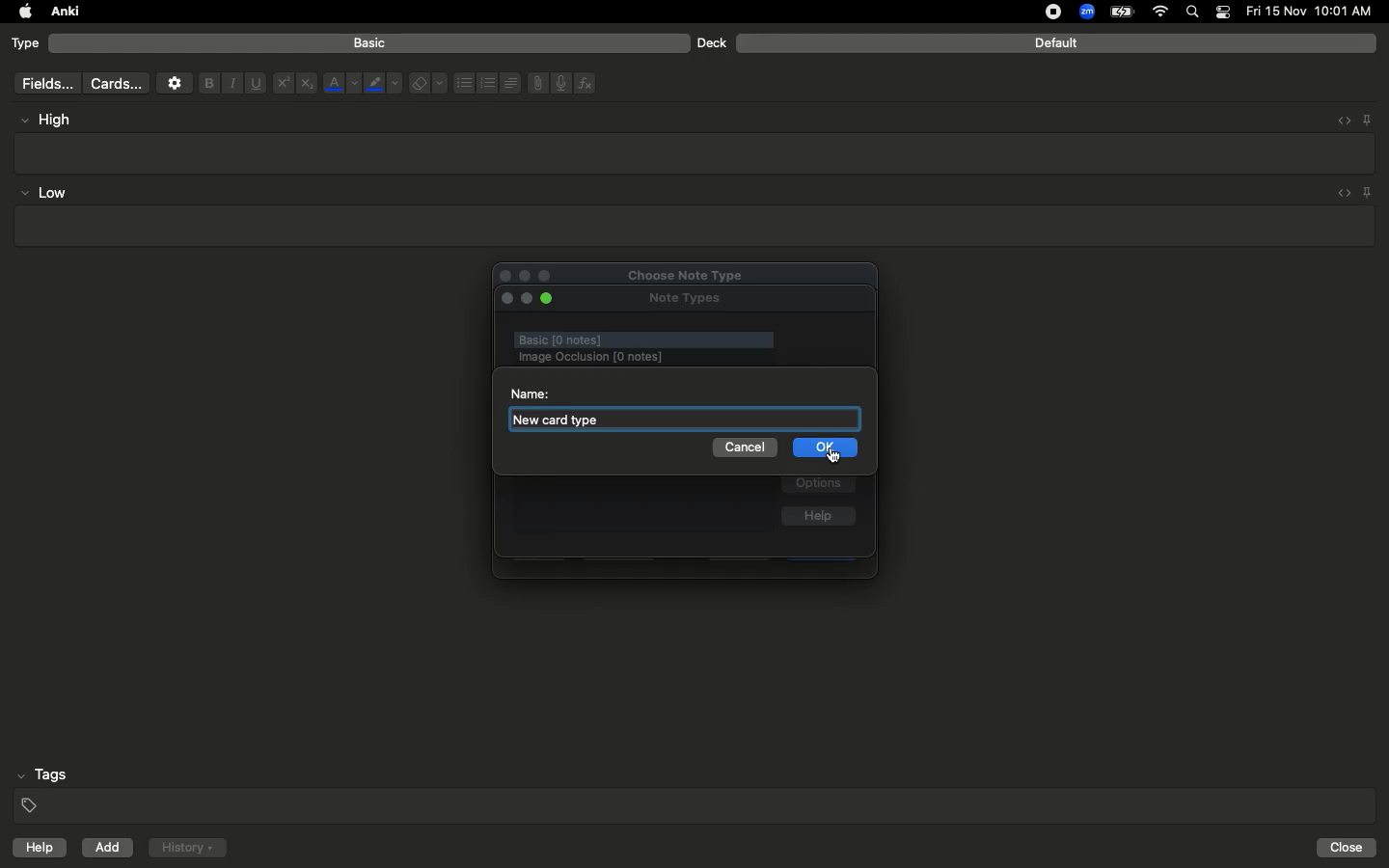 The image size is (1389, 868). Describe the element at coordinates (505, 299) in the screenshot. I see `close` at that location.